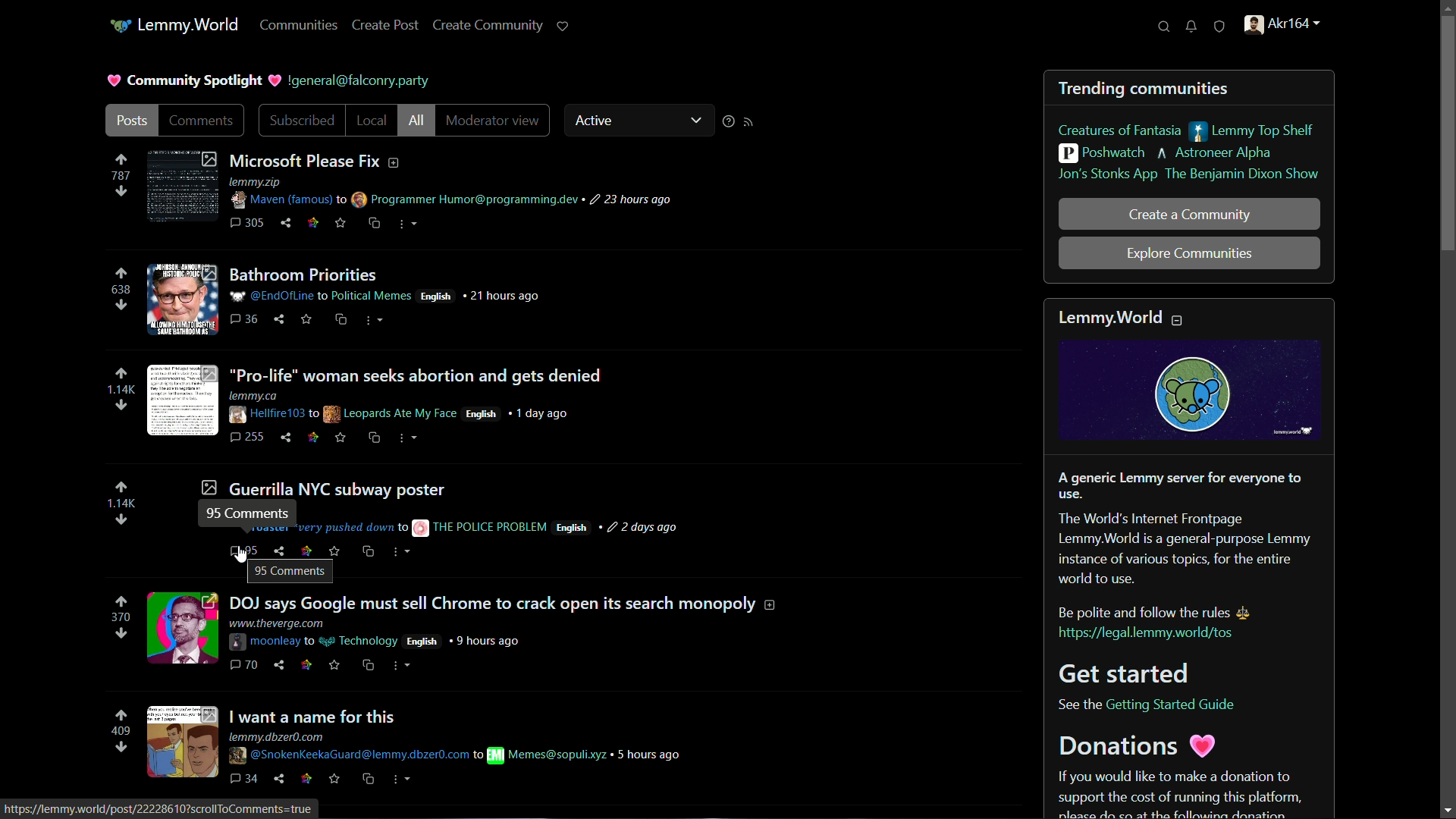 The width and height of the screenshot is (1456, 819). Describe the element at coordinates (1100, 155) in the screenshot. I see `poshwatch` at that location.